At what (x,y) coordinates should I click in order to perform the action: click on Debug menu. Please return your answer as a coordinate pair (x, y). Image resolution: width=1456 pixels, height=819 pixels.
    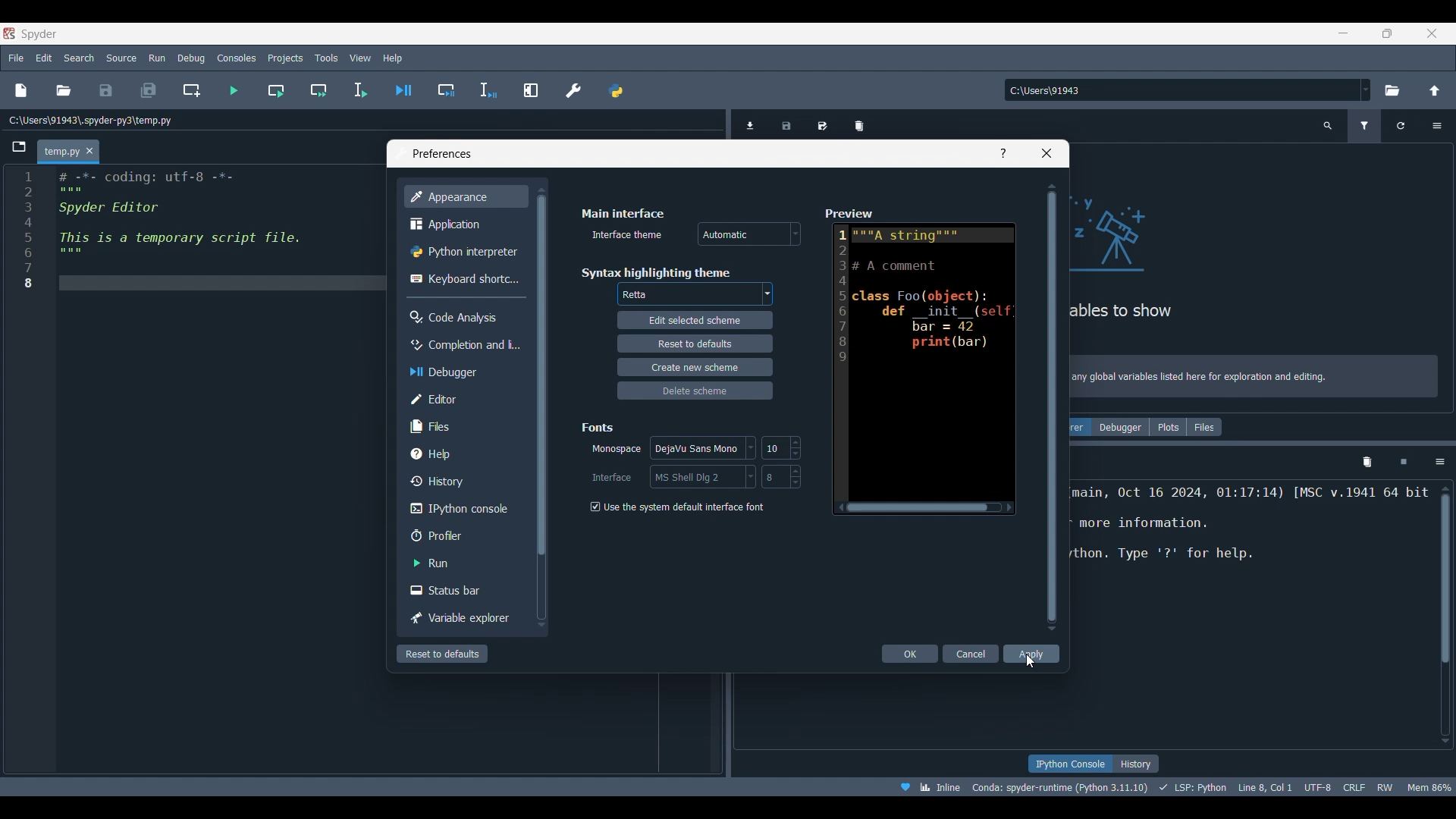
    Looking at the image, I should click on (191, 58).